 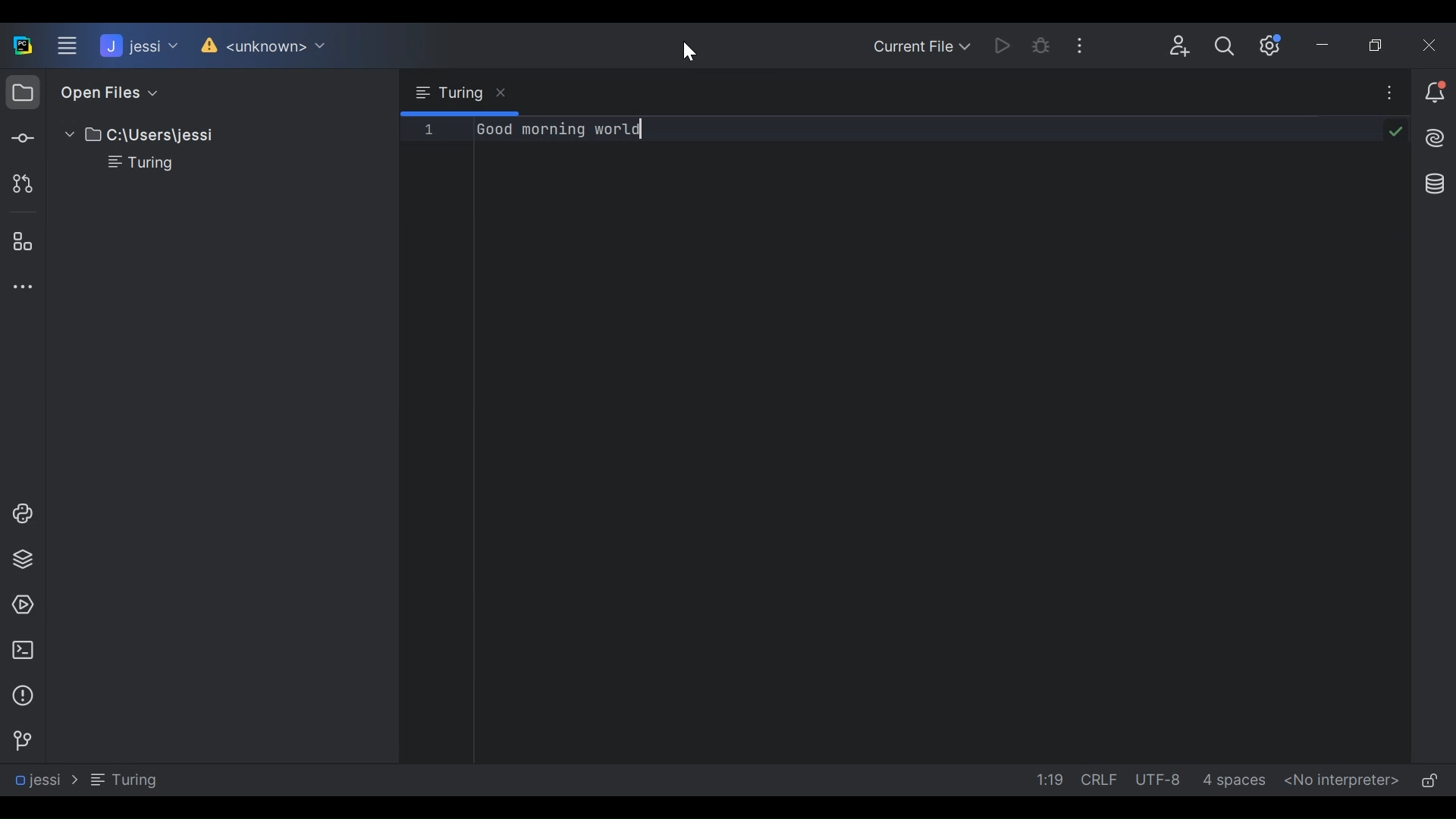 I want to click on code check, so click(x=1395, y=133).